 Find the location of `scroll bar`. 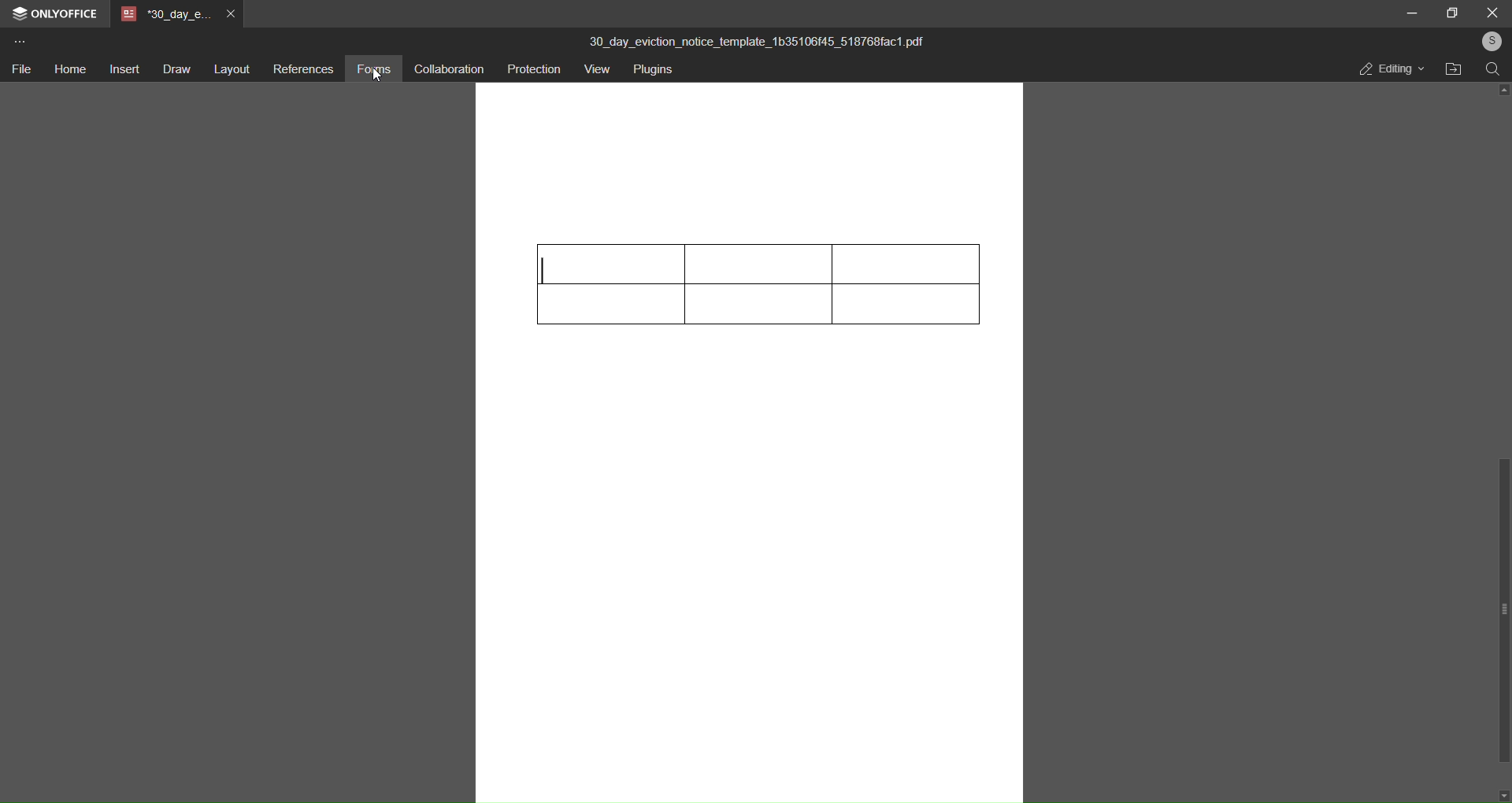

scroll bar is located at coordinates (1499, 608).